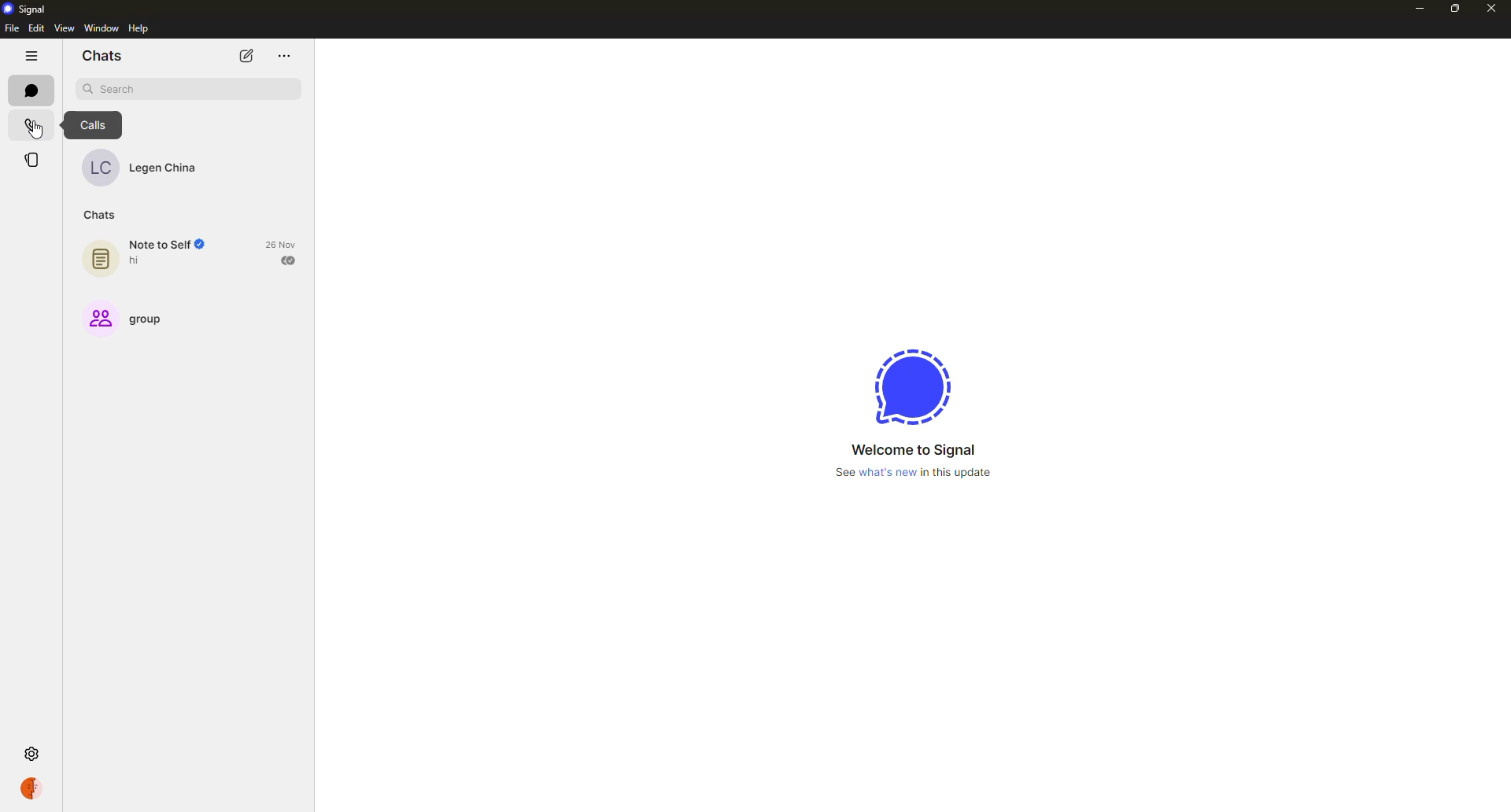 This screenshot has height=812, width=1511. What do you see at coordinates (914, 473) in the screenshot?
I see `See what's new in this update` at bounding box center [914, 473].